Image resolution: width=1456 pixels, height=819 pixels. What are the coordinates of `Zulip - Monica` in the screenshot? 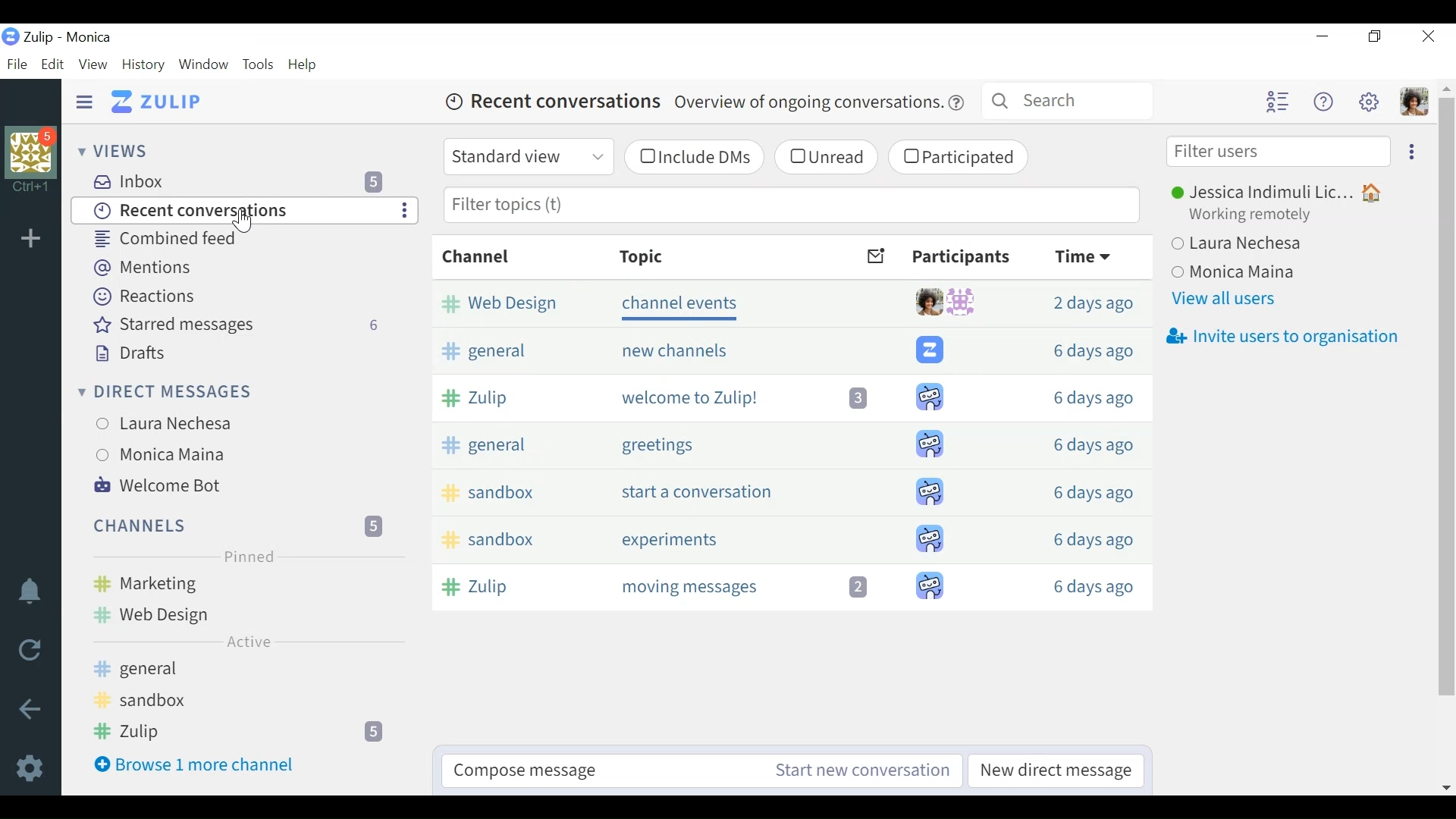 It's located at (75, 37).